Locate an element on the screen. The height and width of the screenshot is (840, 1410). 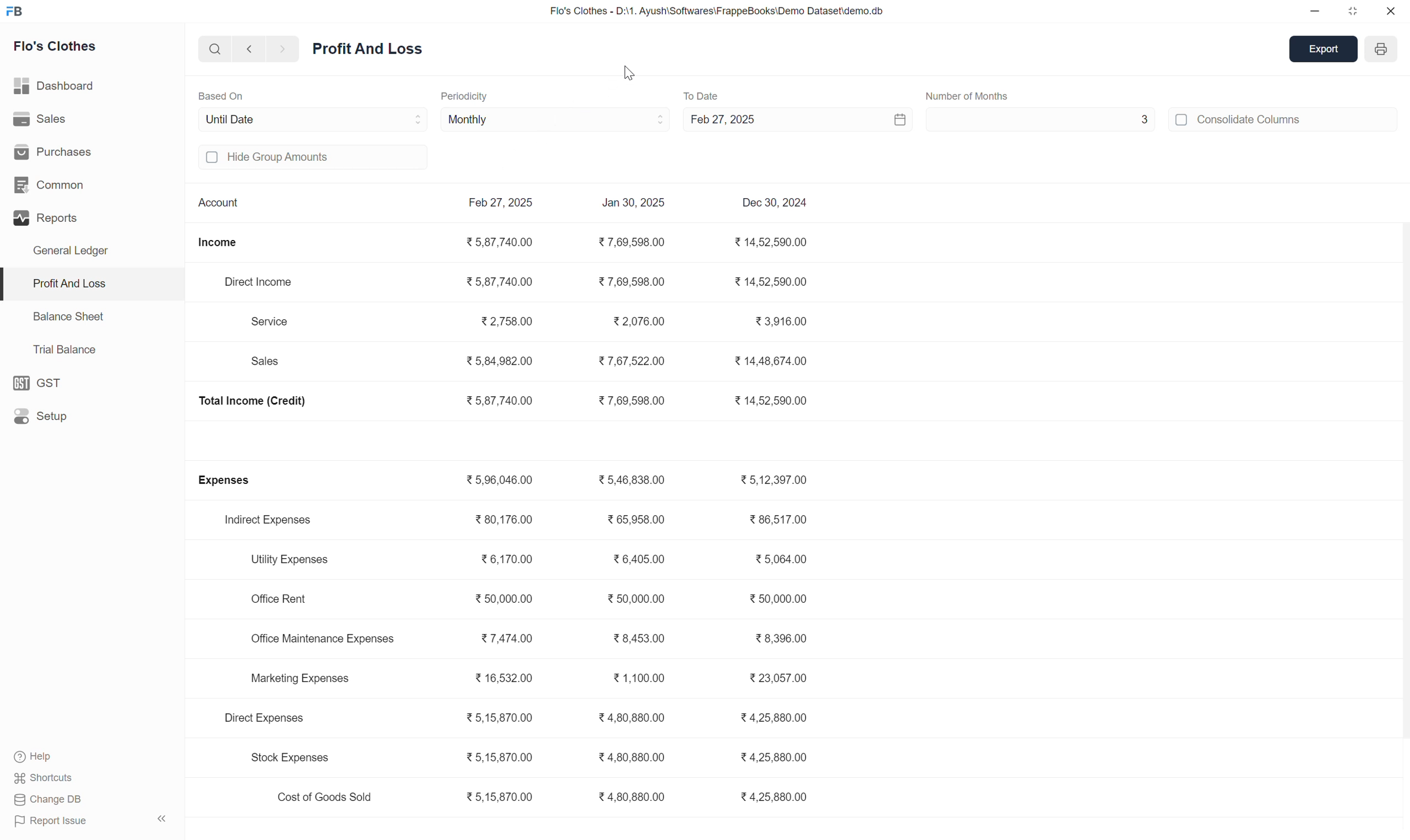
₹80,176.00 is located at coordinates (499, 521).